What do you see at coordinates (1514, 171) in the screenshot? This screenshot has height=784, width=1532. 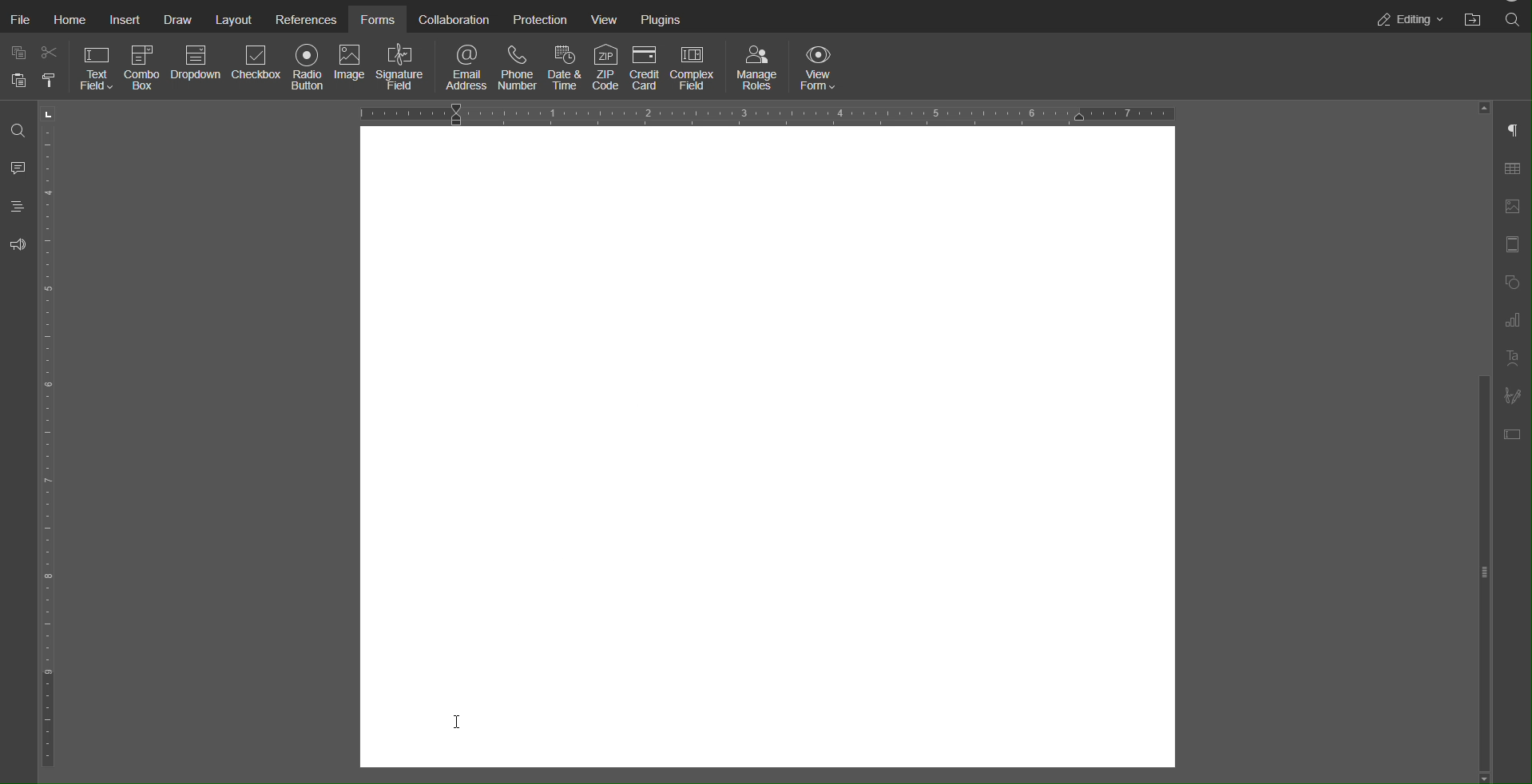 I see `Table Settings` at bounding box center [1514, 171].